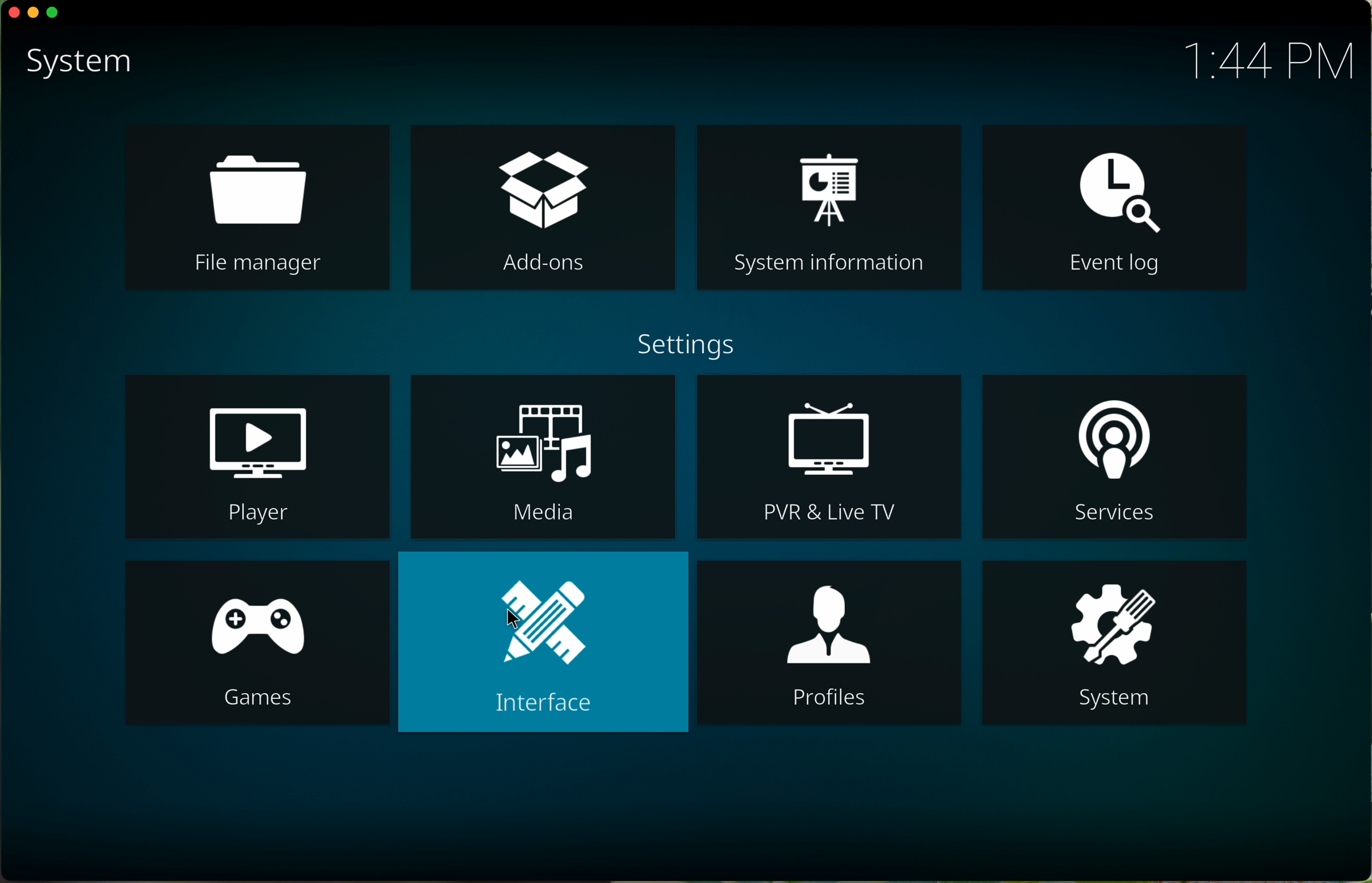 The height and width of the screenshot is (883, 1372). Describe the element at coordinates (545, 456) in the screenshot. I see `media` at that location.